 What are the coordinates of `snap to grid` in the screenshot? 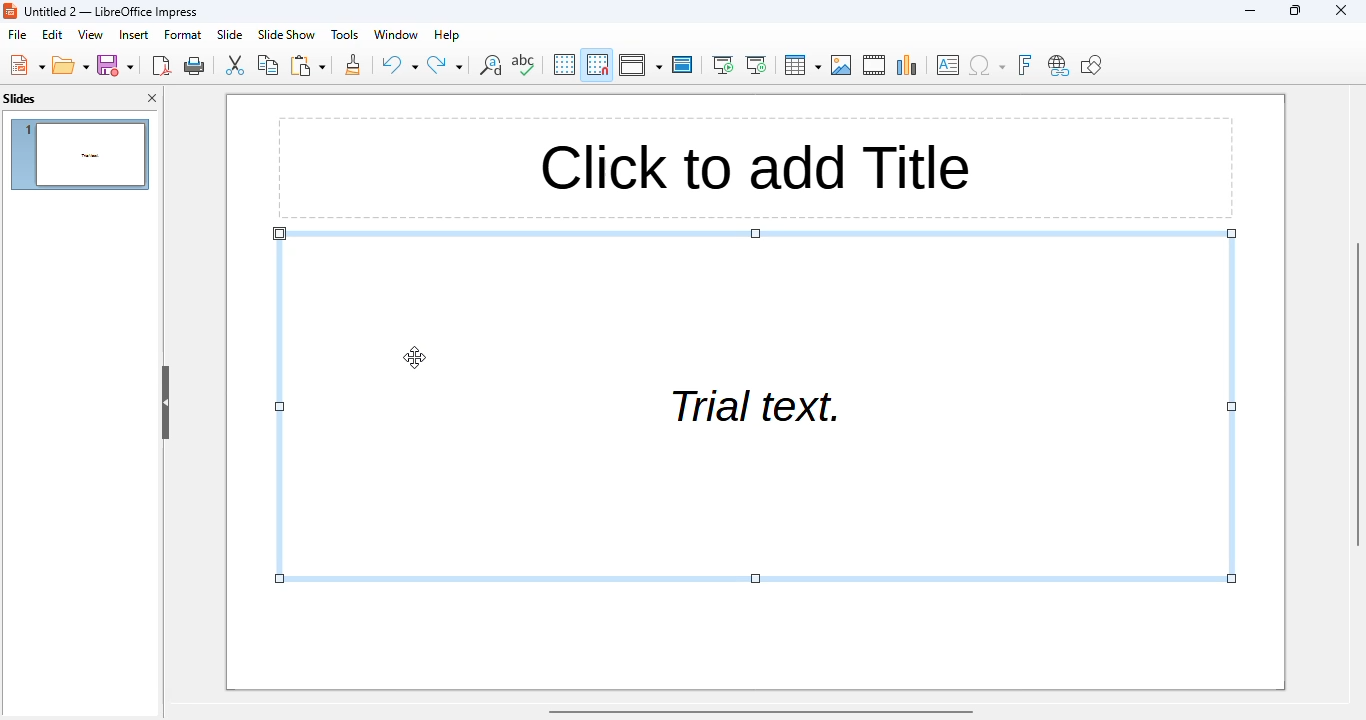 It's located at (598, 64).